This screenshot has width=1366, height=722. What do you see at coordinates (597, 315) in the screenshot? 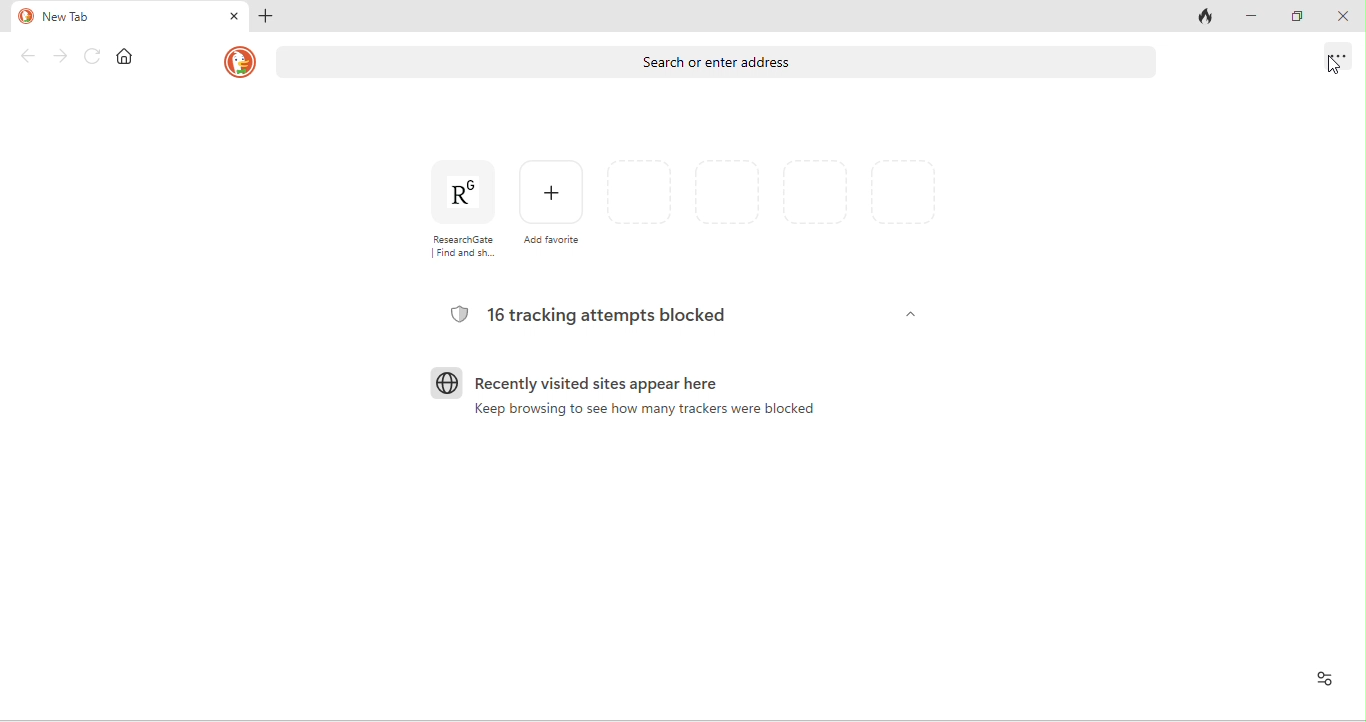
I see `16 tracking attempts blocked` at bounding box center [597, 315].